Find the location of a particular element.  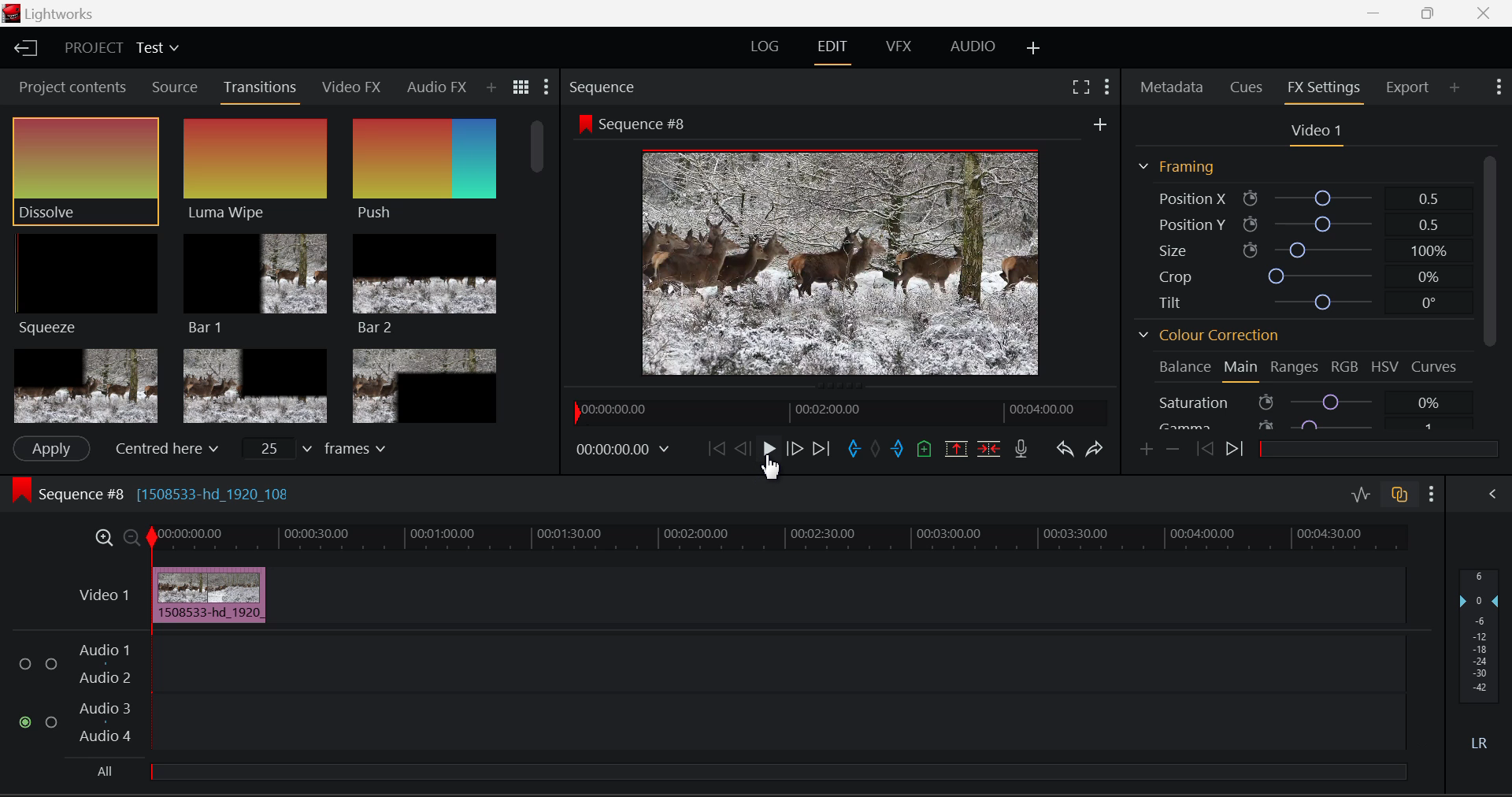

To End is located at coordinates (822, 451).